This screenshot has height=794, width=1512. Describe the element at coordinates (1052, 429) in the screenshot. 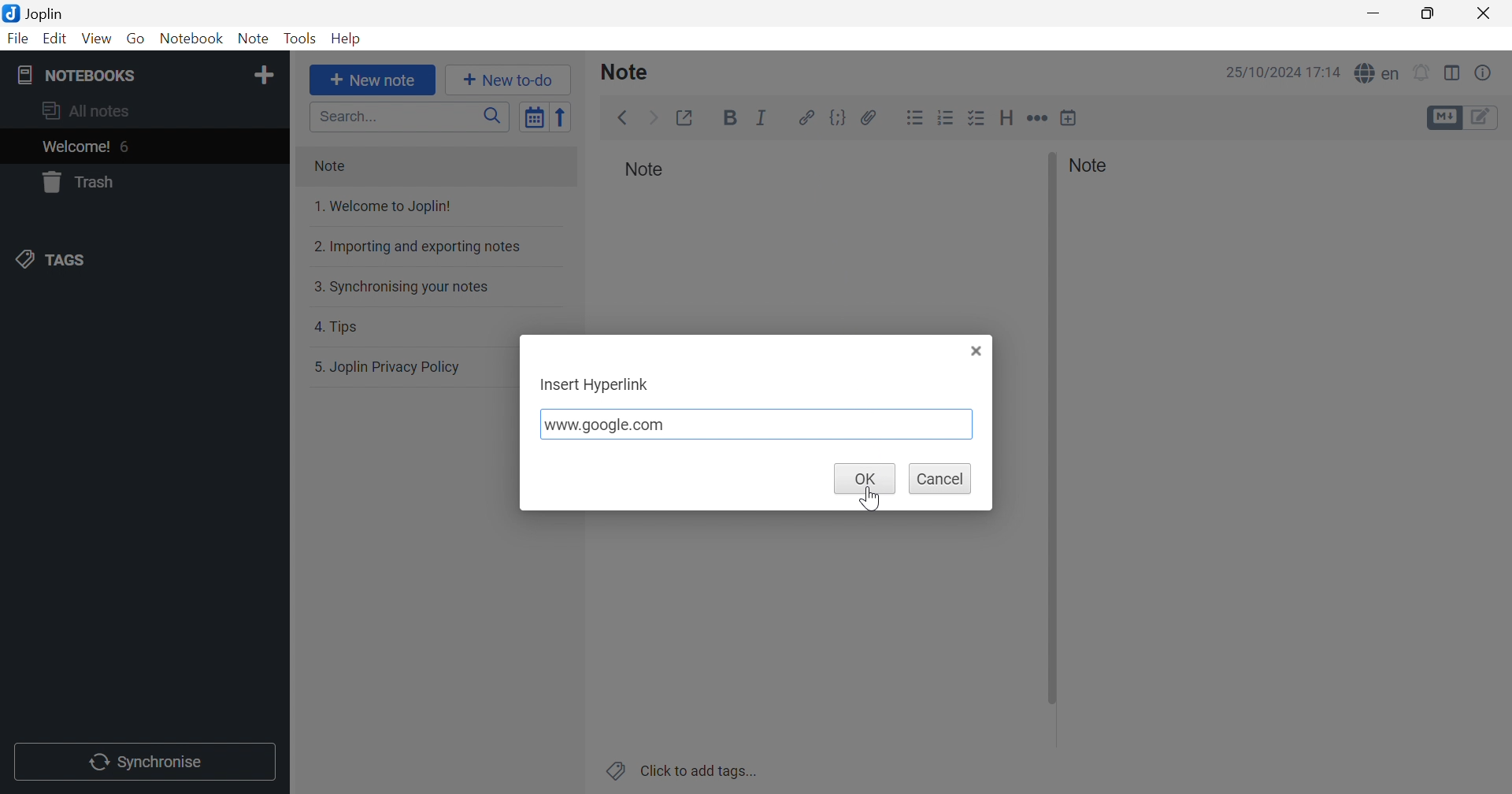

I see `scroll bar` at that location.